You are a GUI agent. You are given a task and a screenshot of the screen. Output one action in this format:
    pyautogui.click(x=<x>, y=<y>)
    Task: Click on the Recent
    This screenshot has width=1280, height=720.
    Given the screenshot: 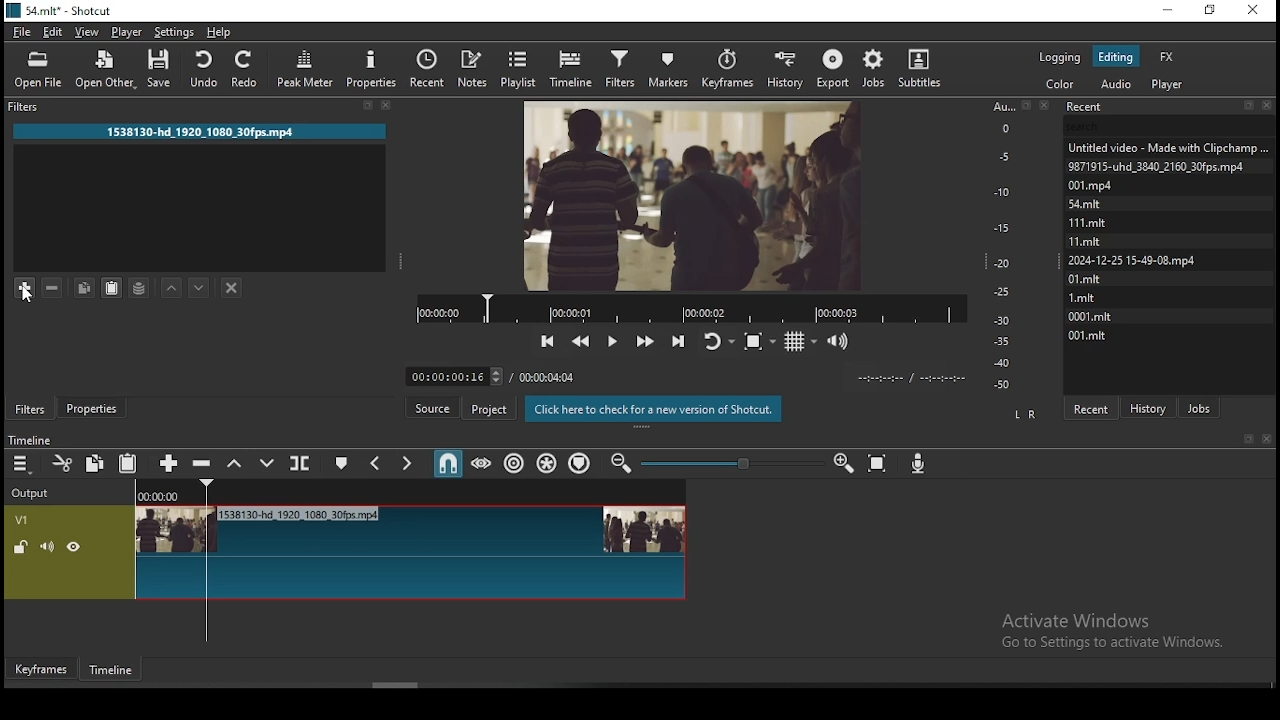 What is the action you would take?
    pyautogui.click(x=1171, y=104)
    